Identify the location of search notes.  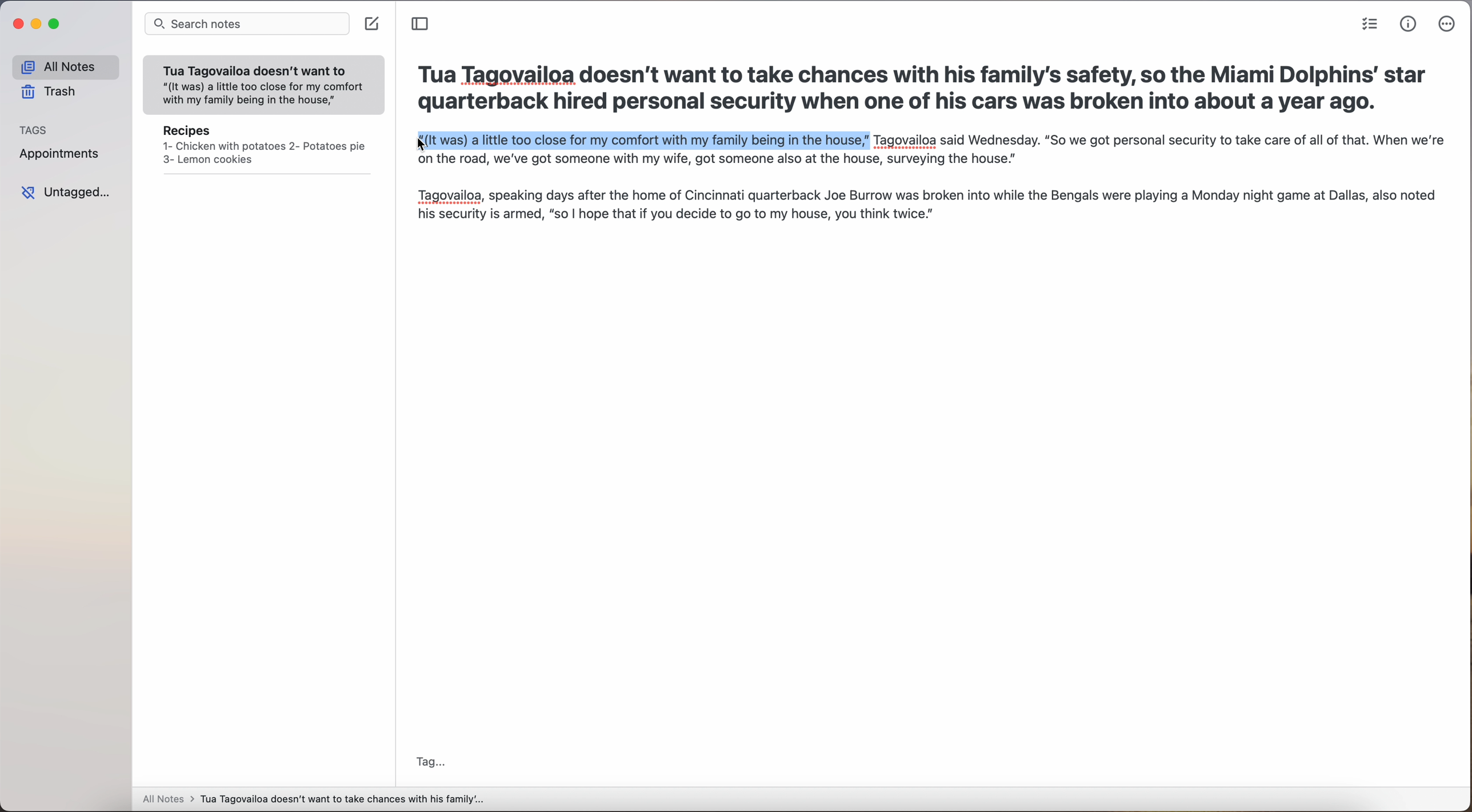
(246, 25).